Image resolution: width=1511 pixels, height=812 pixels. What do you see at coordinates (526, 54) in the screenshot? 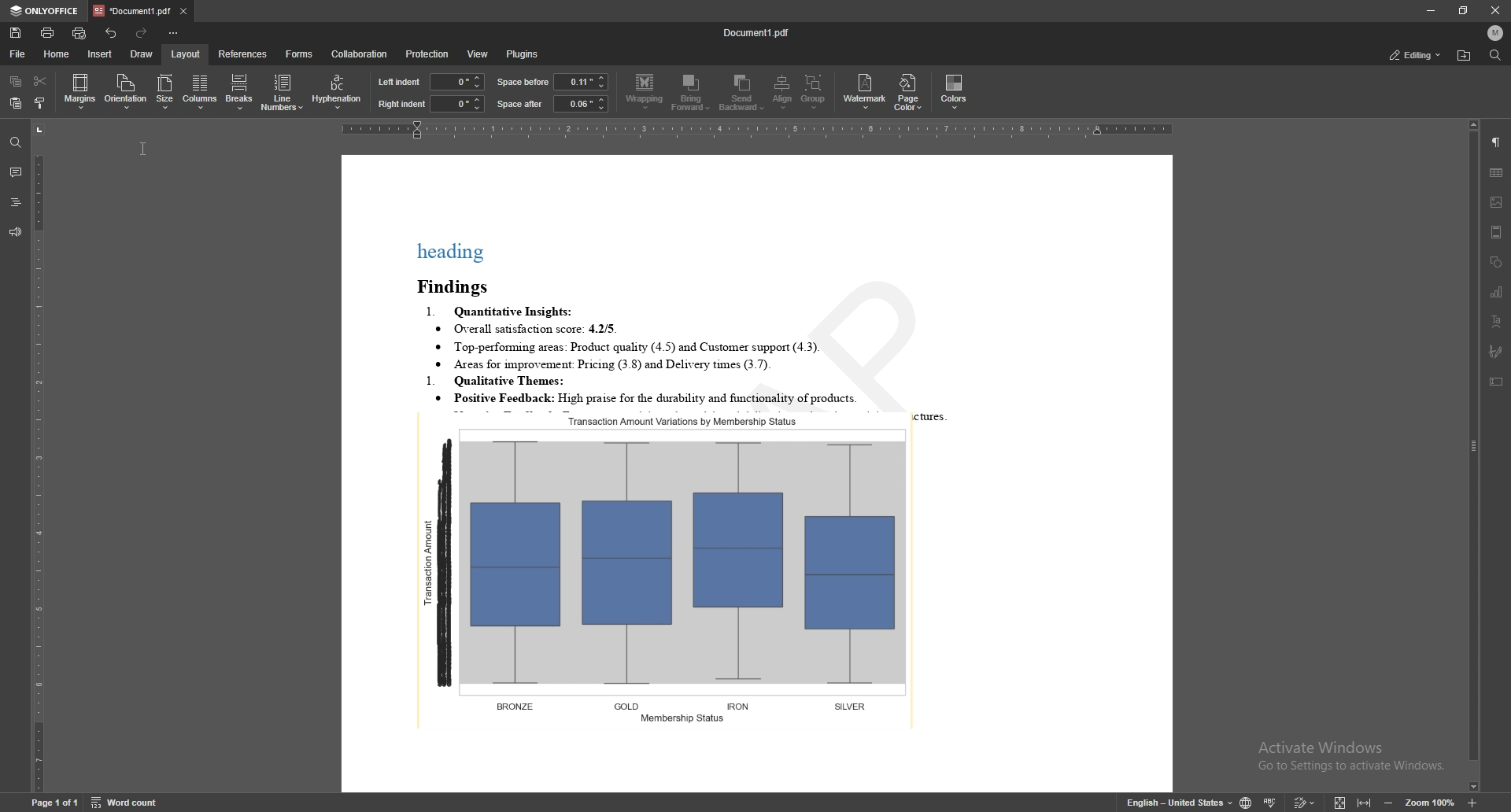
I see `plugins` at bounding box center [526, 54].